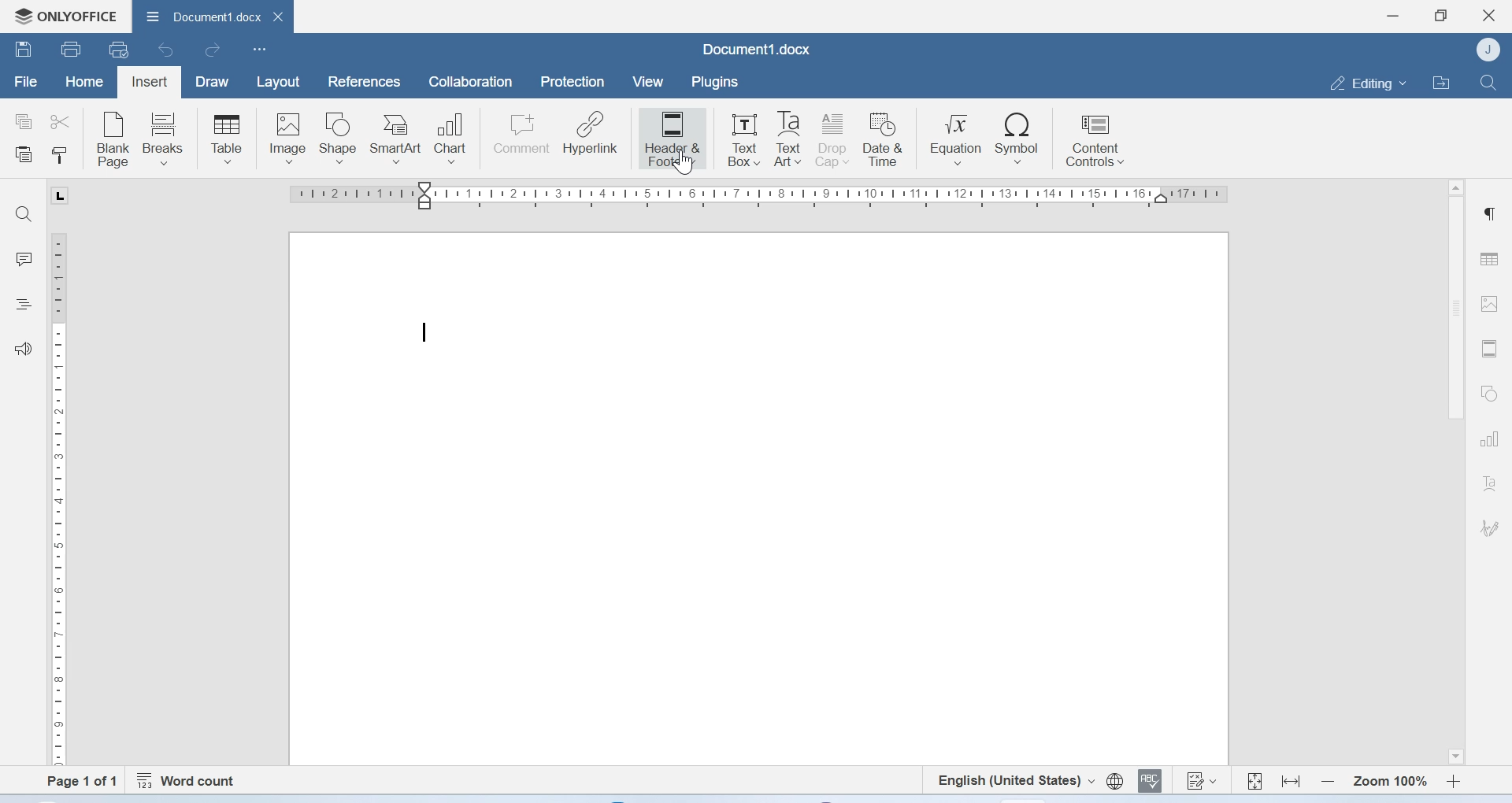  I want to click on Draw, so click(216, 81).